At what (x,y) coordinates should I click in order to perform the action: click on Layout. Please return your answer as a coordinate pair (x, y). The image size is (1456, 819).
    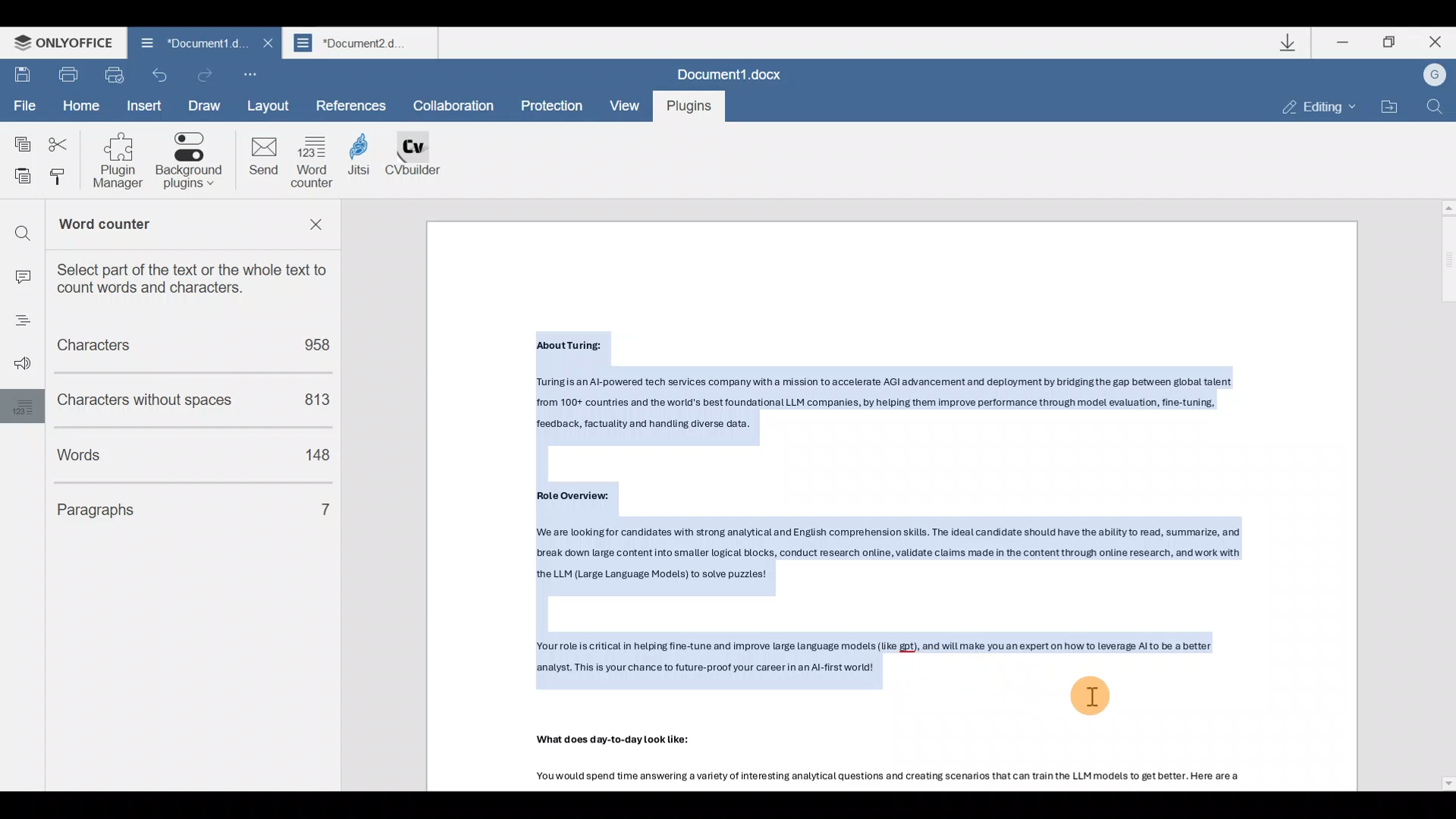
    Looking at the image, I should click on (274, 104).